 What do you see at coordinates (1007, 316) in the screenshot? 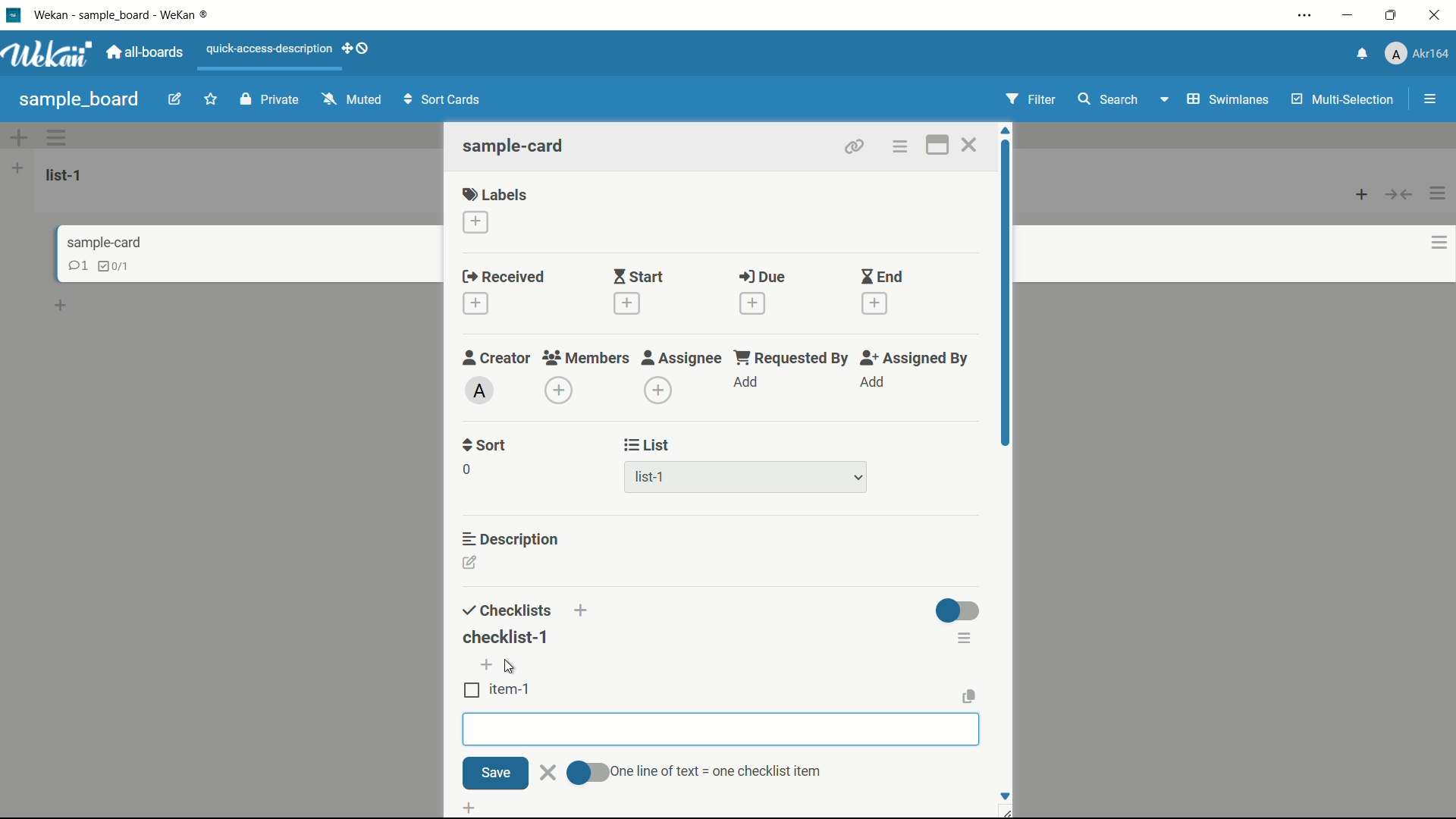
I see `scroll bar` at bounding box center [1007, 316].